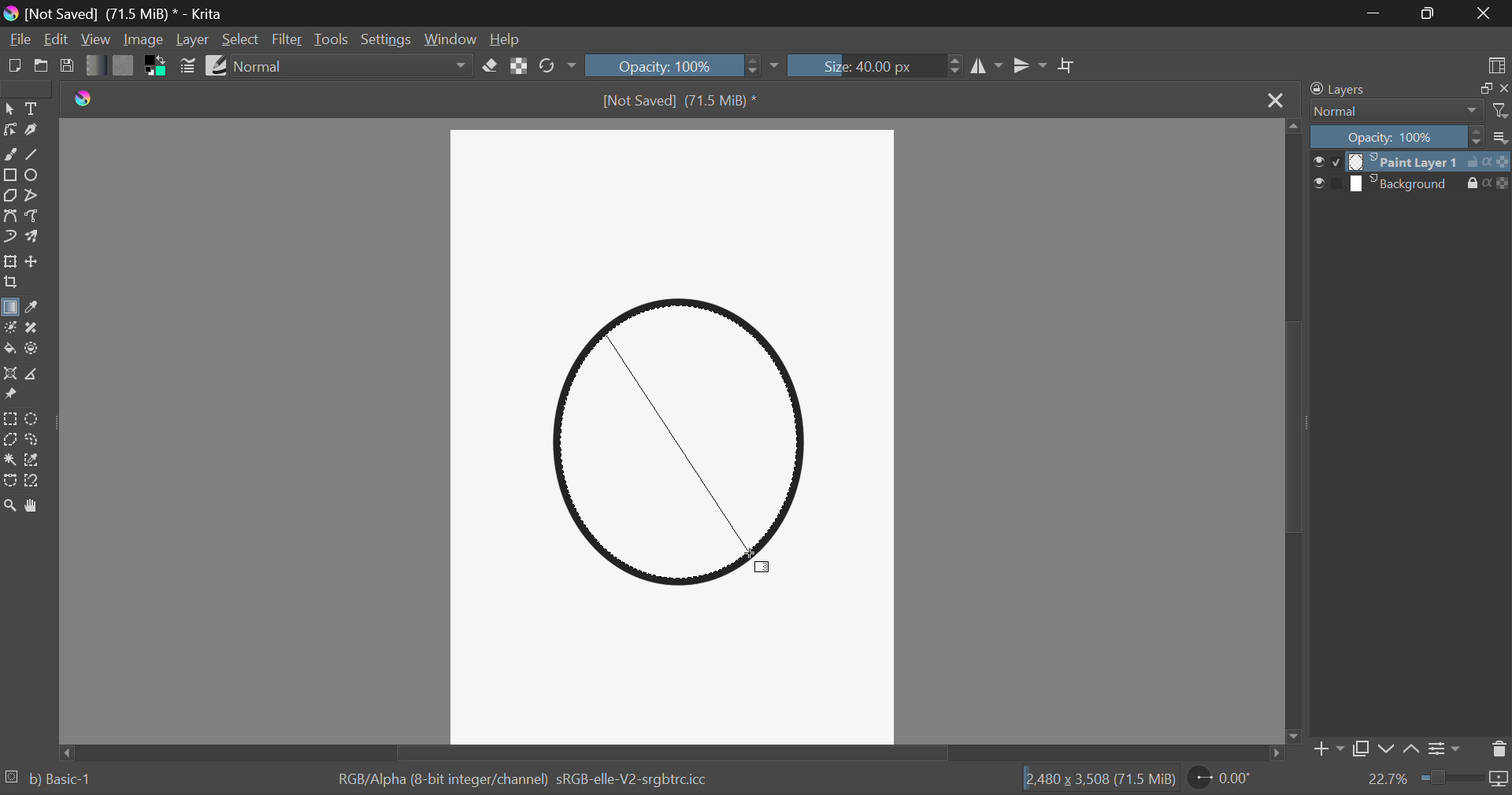 The height and width of the screenshot is (795, 1512). I want to click on RGB/Alpha (8-bit integer/channel) sRGB-elle-V2-srgbtrc.icc, so click(526, 779).